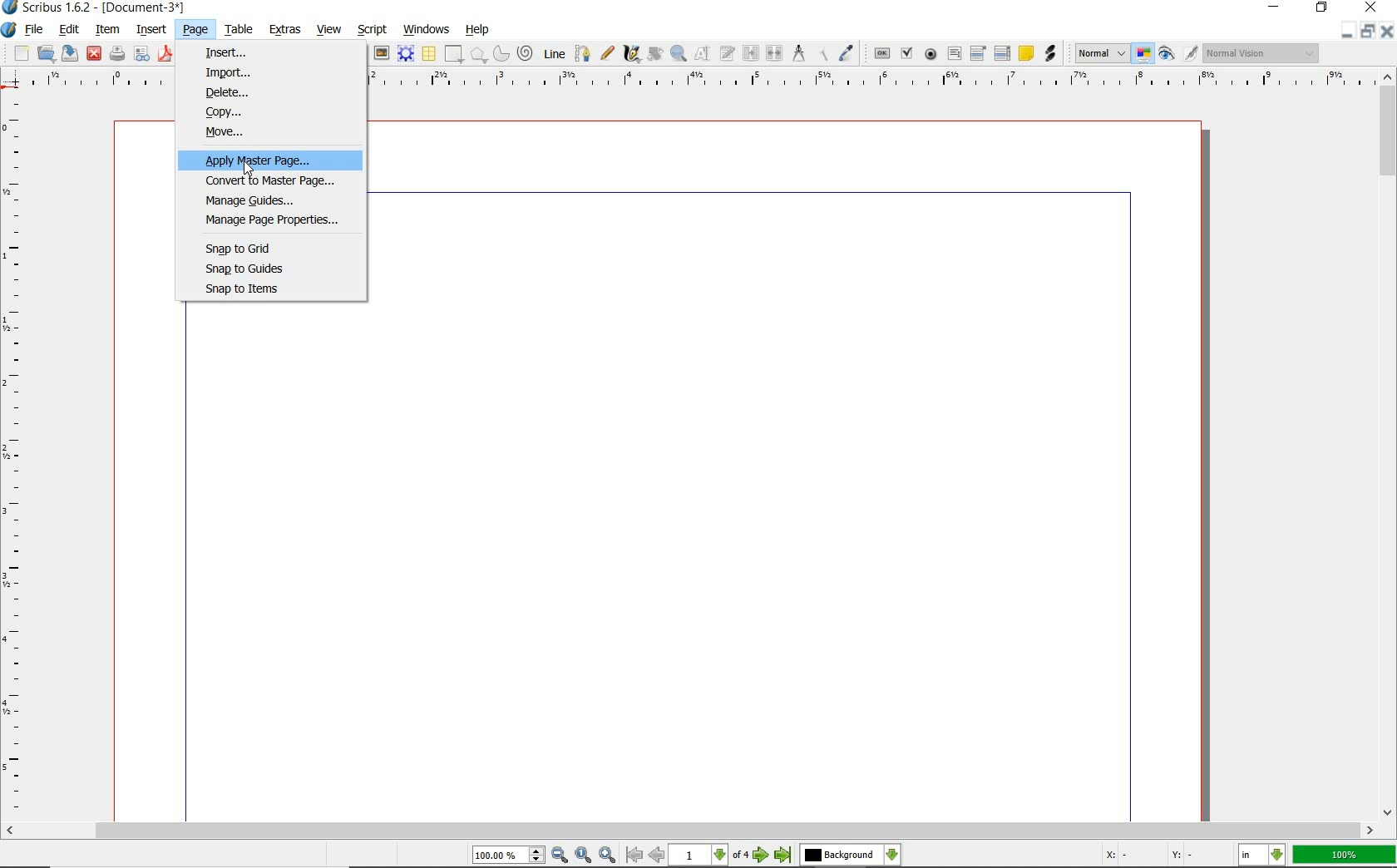  Describe the element at coordinates (67, 28) in the screenshot. I see `edit` at that location.